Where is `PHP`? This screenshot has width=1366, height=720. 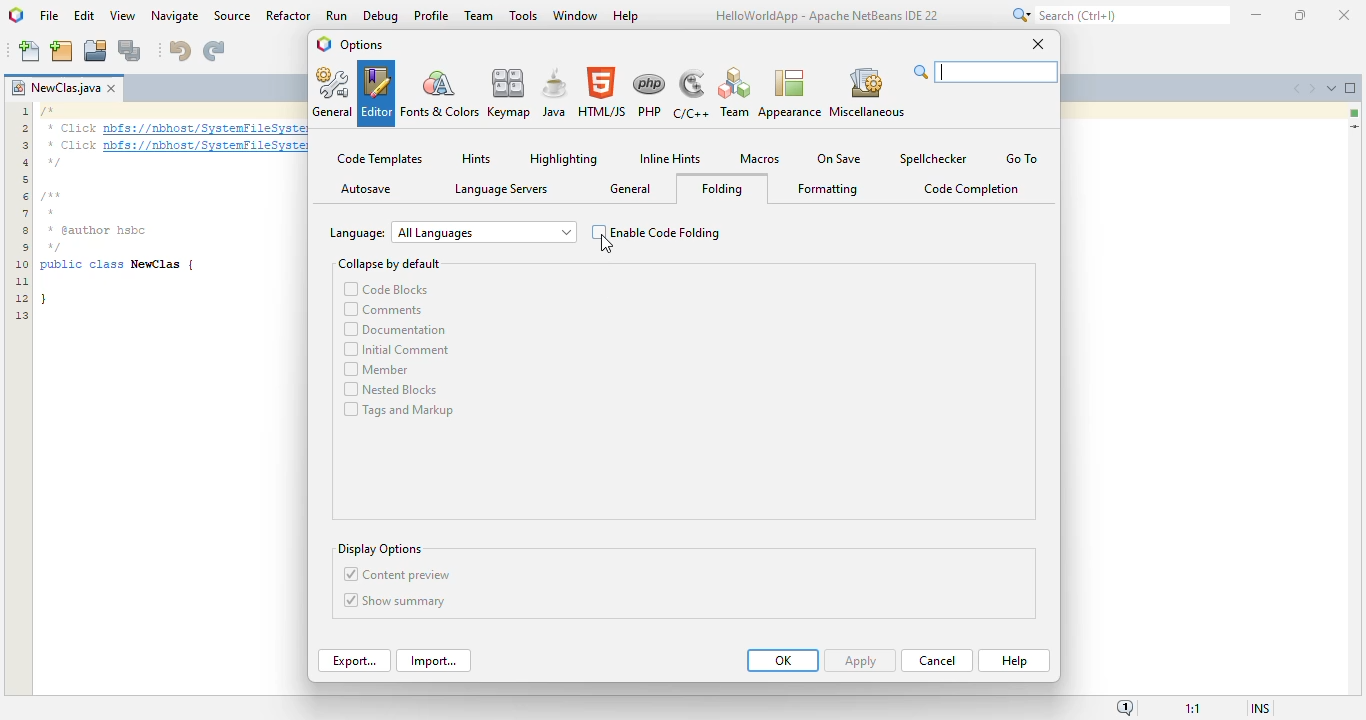 PHP is located at coordinates (650, 93).